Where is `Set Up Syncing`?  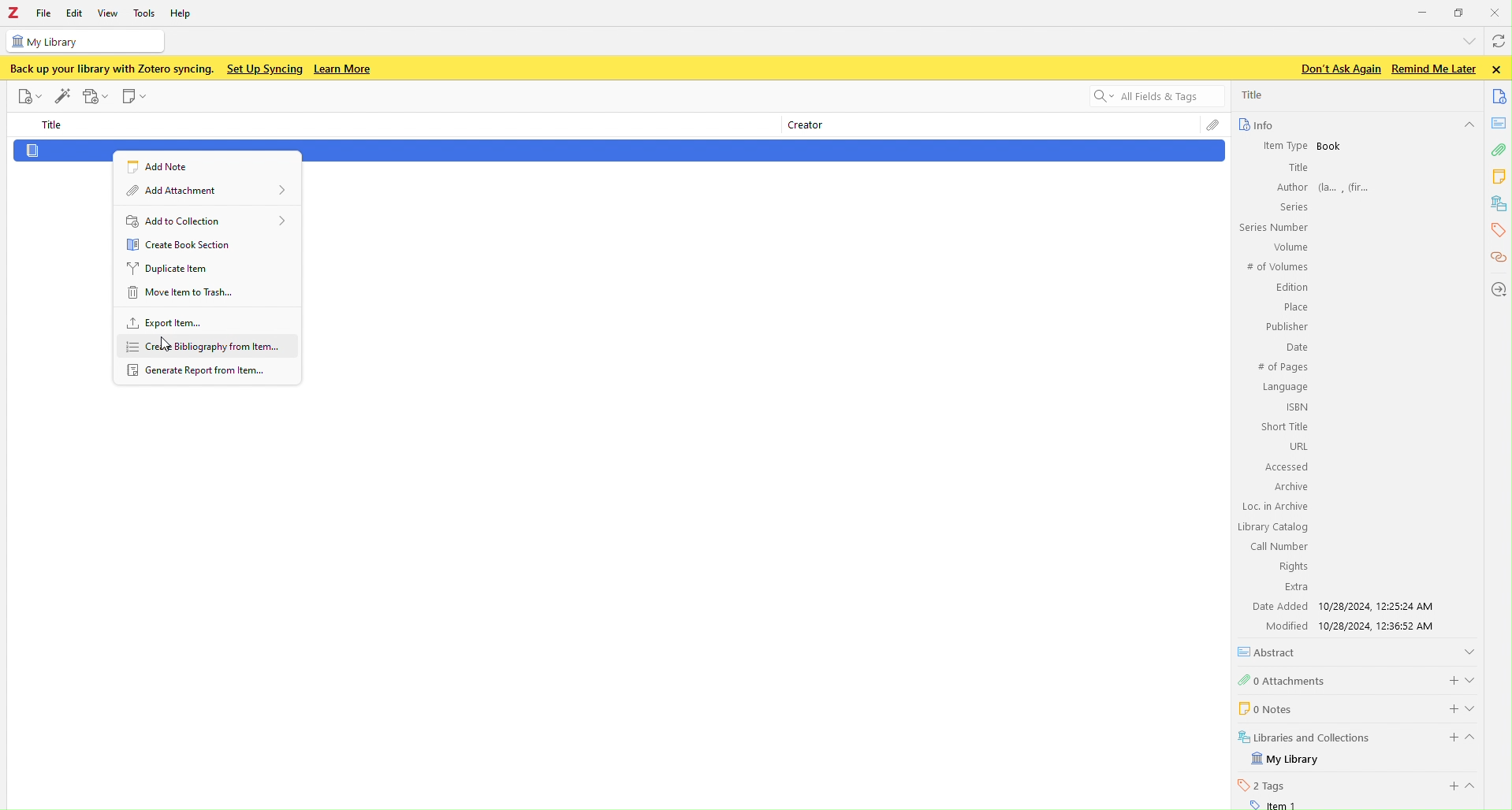 Set Up Syncing is located at coordinates (263, 69).